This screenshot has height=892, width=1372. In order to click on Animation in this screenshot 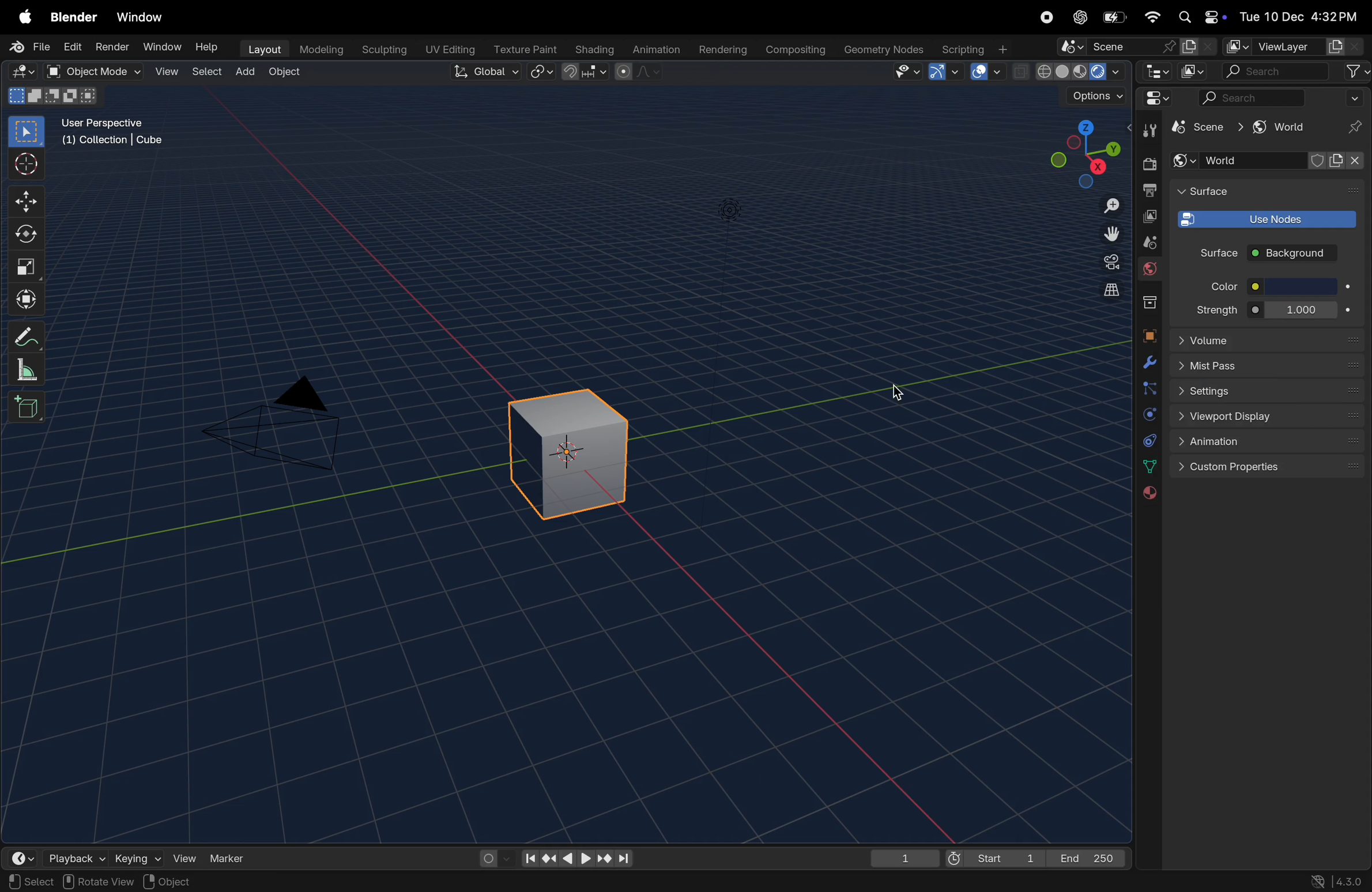, I will do `click(654, 50)`.